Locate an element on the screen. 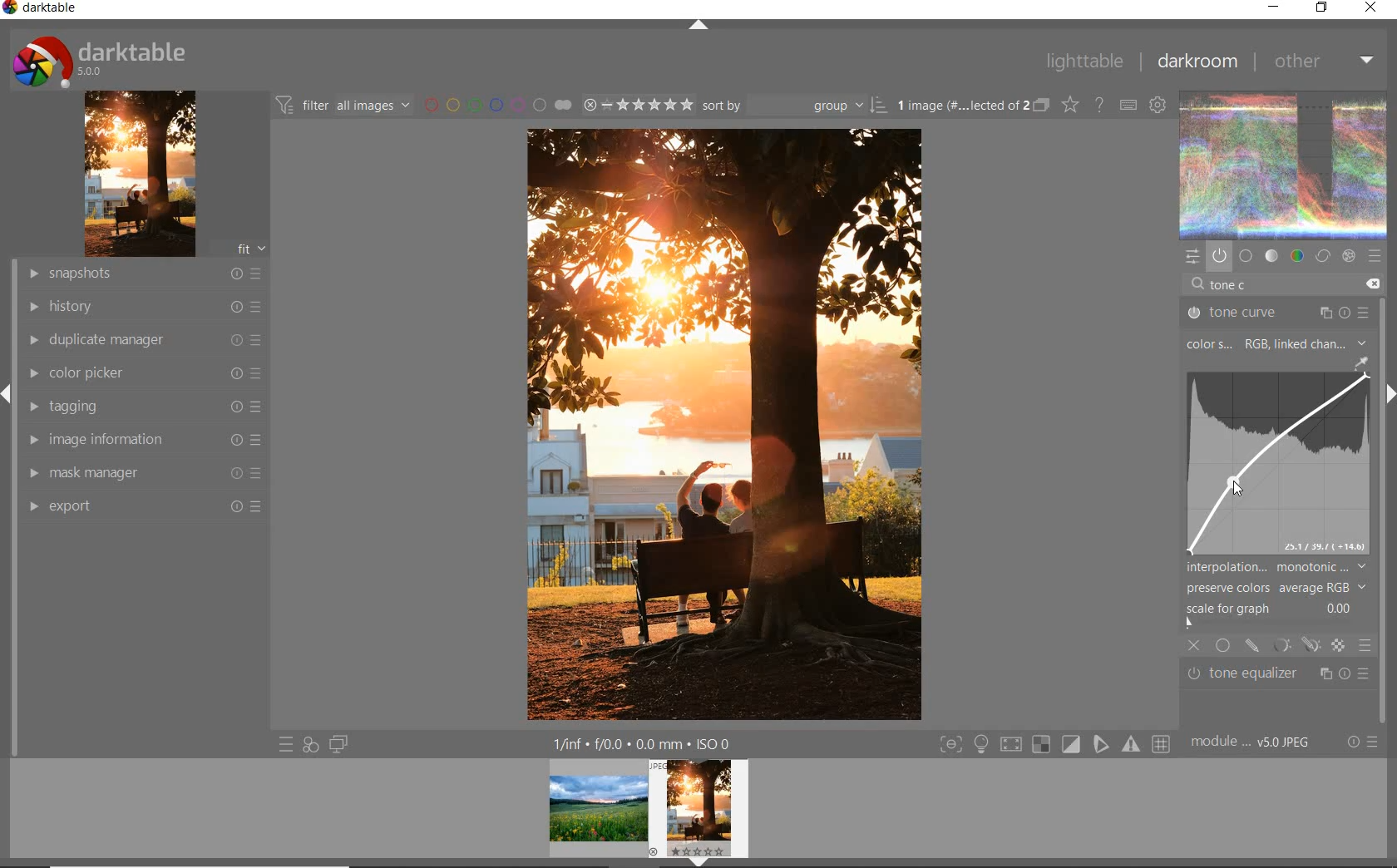  base is located at coordinates (1246, 255).